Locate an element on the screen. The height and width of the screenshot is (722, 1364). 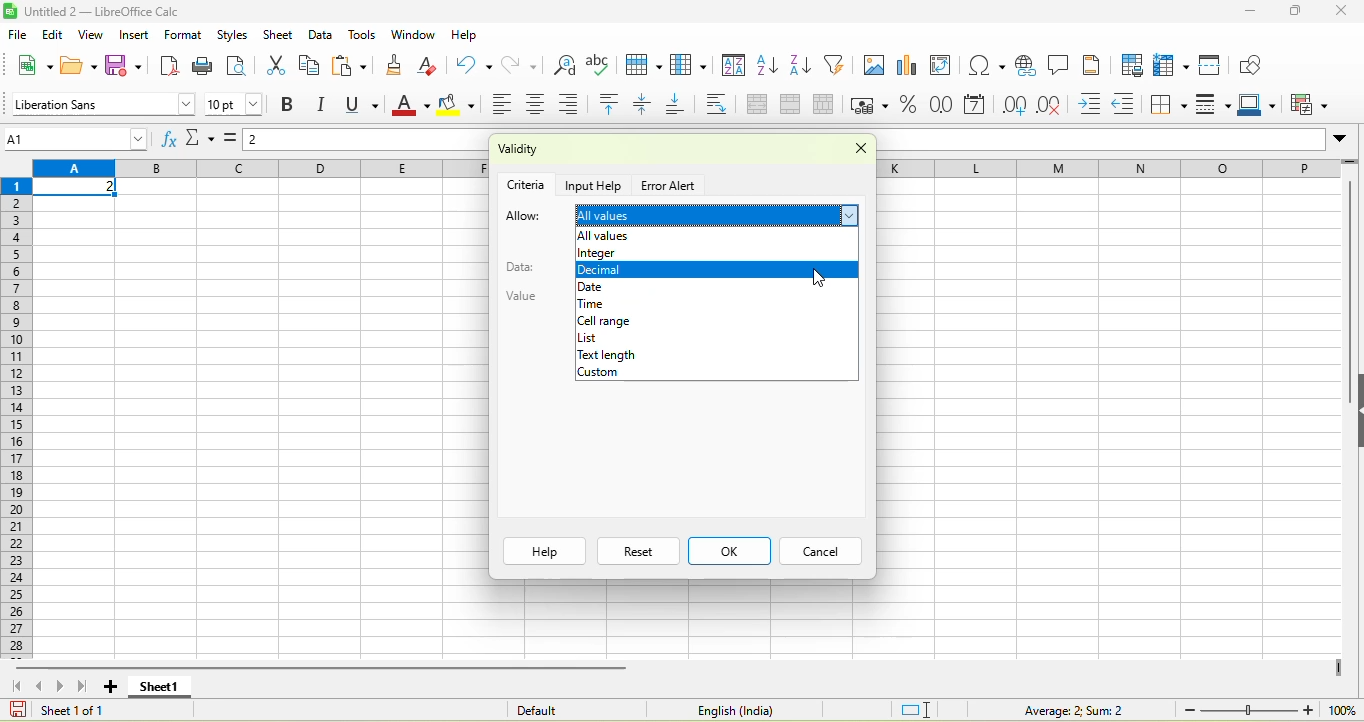
add new sheet is located at coordinates (110, 687).